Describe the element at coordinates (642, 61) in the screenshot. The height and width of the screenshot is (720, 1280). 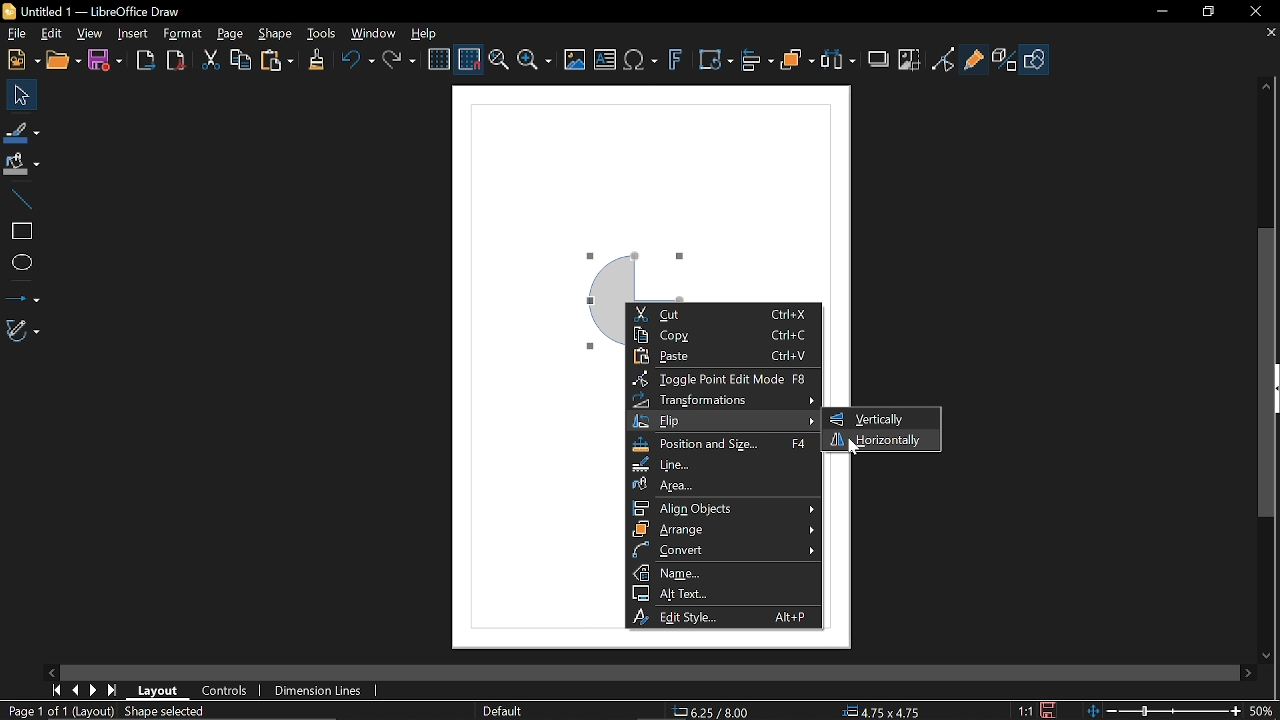
I see `insert equation` at that location.